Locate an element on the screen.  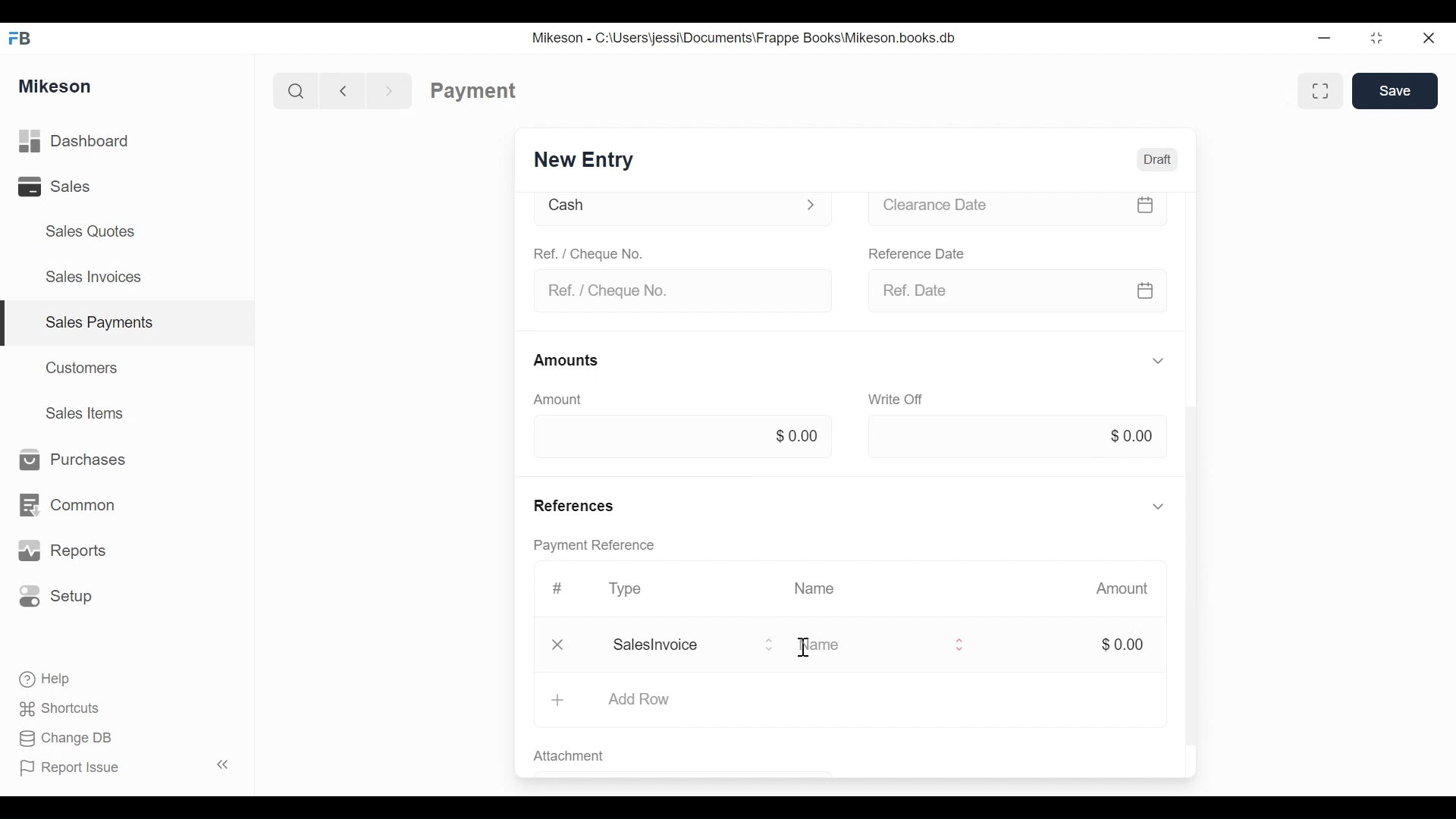
FB is located at coordinates (24, 36).